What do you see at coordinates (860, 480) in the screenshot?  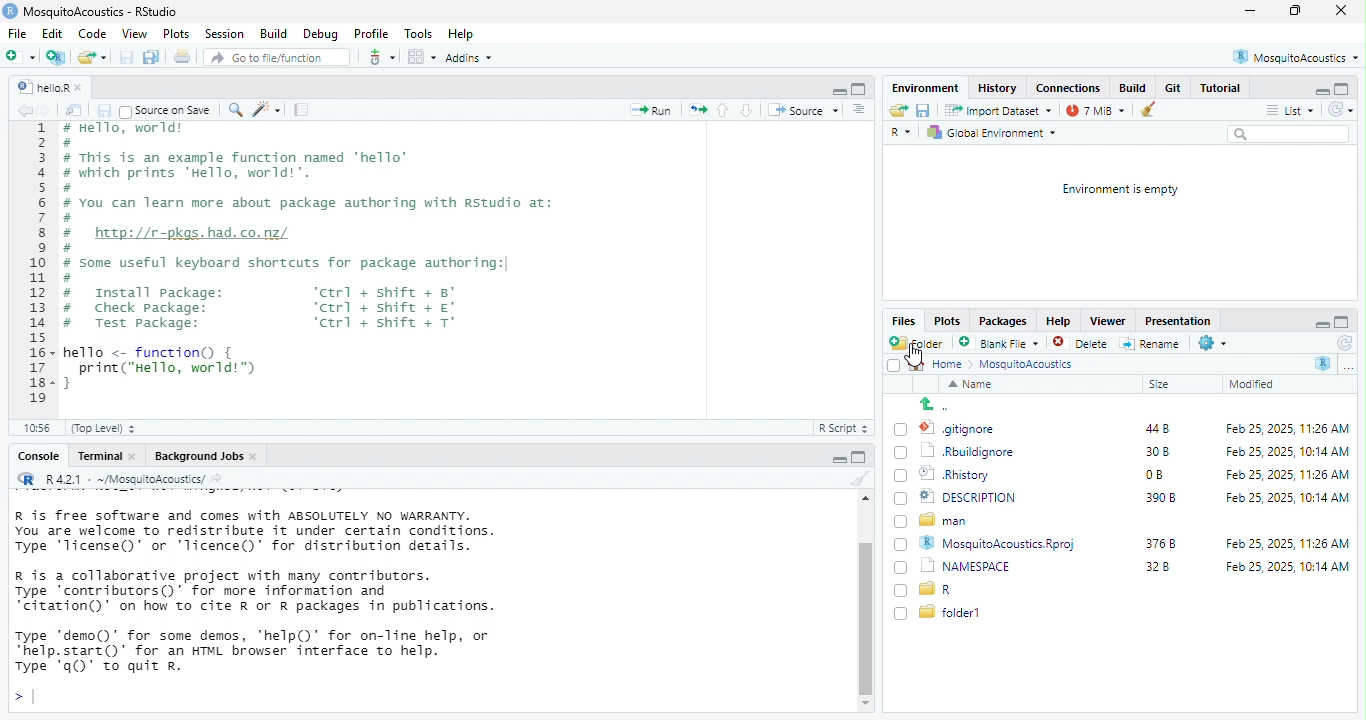 I see `clear console` at bounding box center [860, 480].